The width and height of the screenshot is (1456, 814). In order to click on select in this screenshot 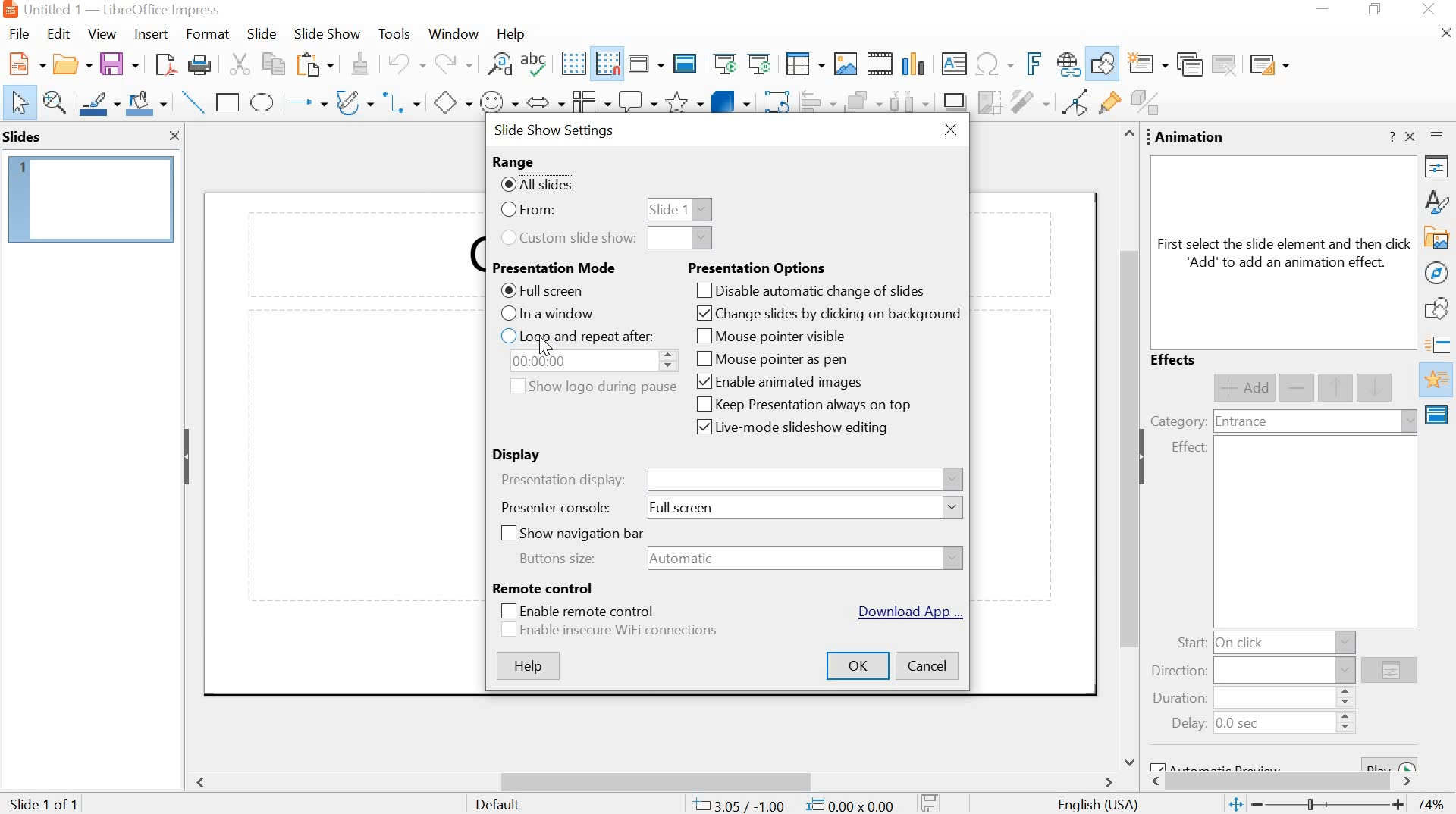, I will do `click(20, 104)`.